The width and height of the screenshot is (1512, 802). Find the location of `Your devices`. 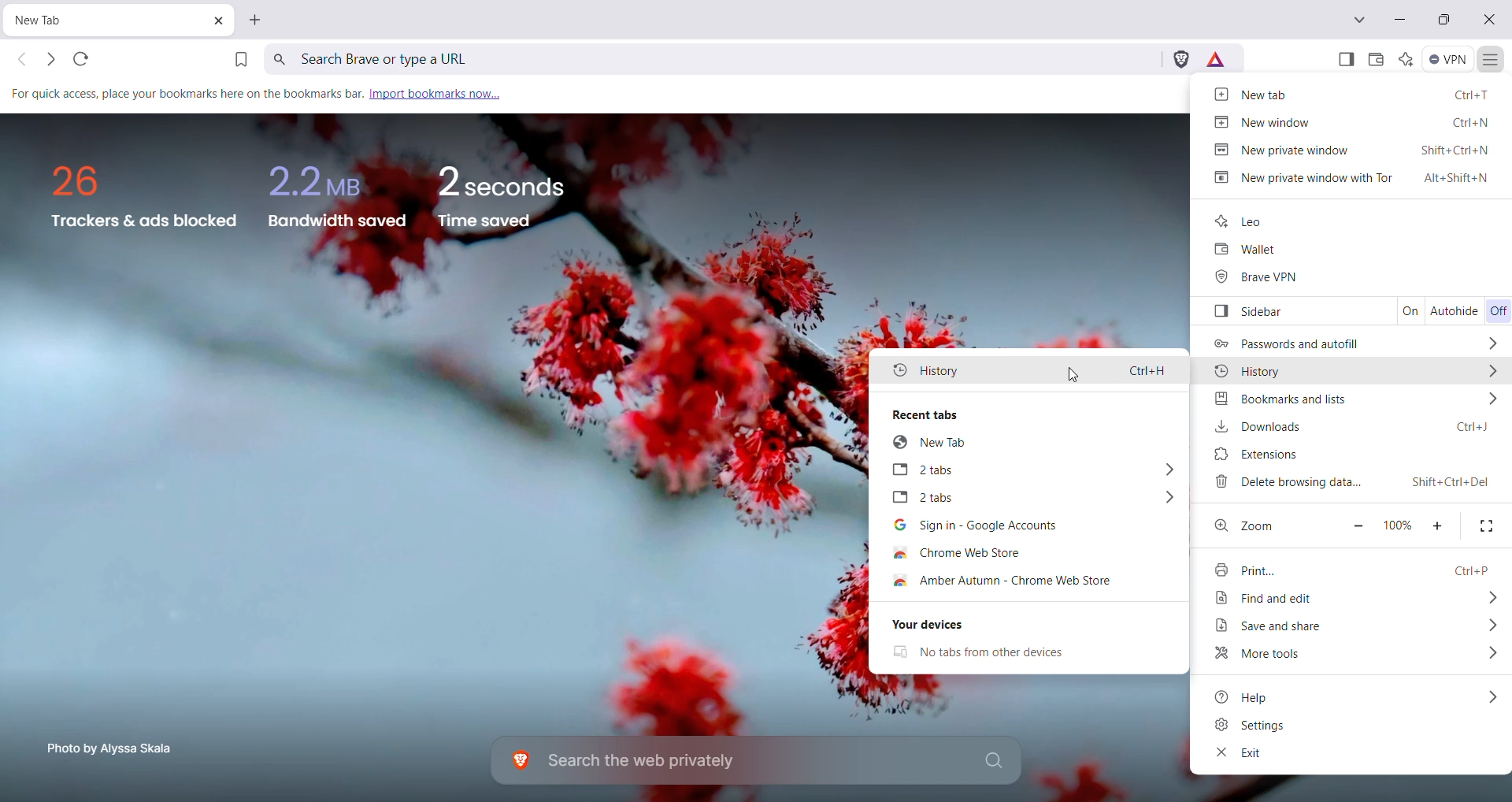

Your devices is located at coordinates (1026, 625).